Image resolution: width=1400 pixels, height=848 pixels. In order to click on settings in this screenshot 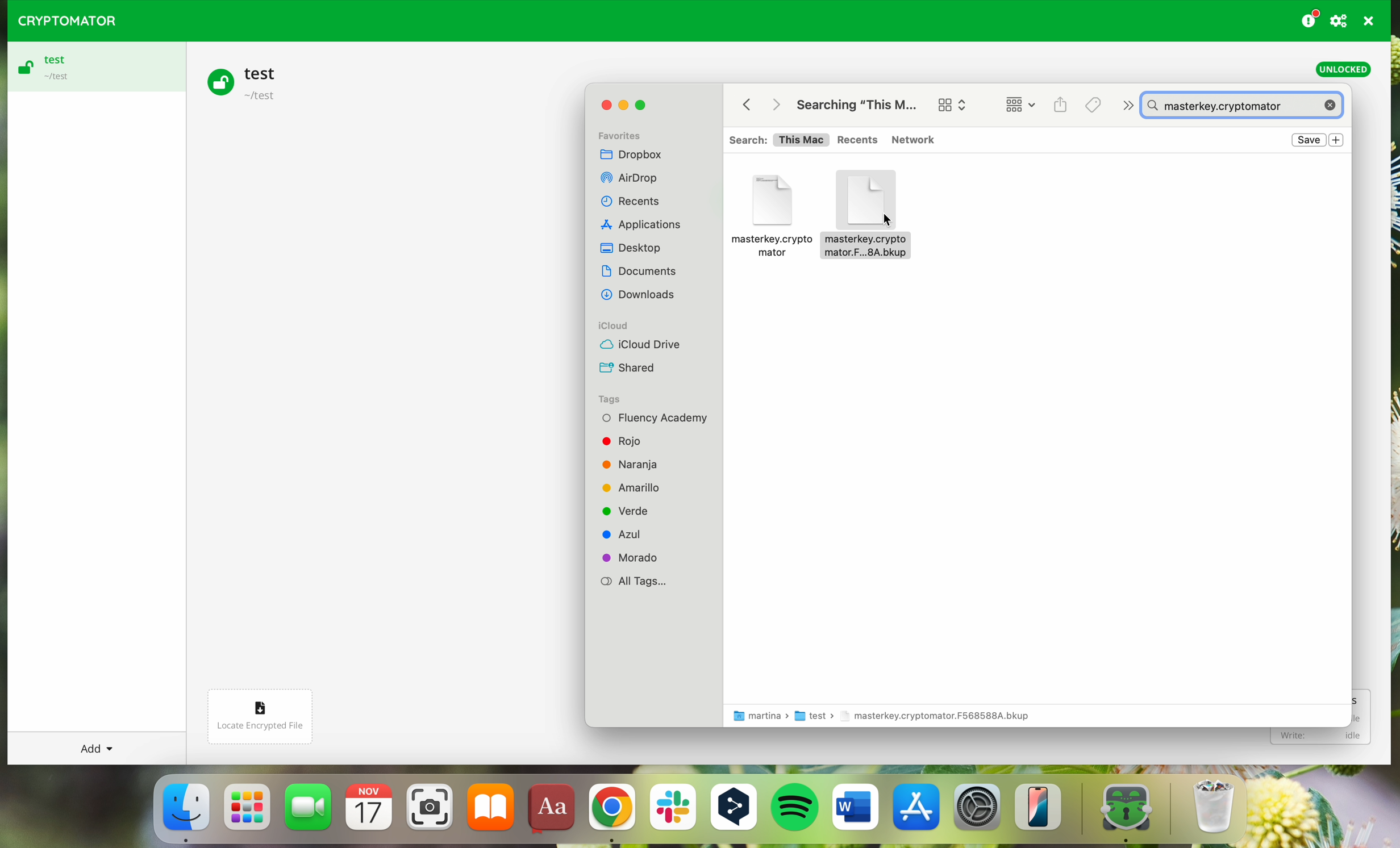, I will do `click(978, 812)`.